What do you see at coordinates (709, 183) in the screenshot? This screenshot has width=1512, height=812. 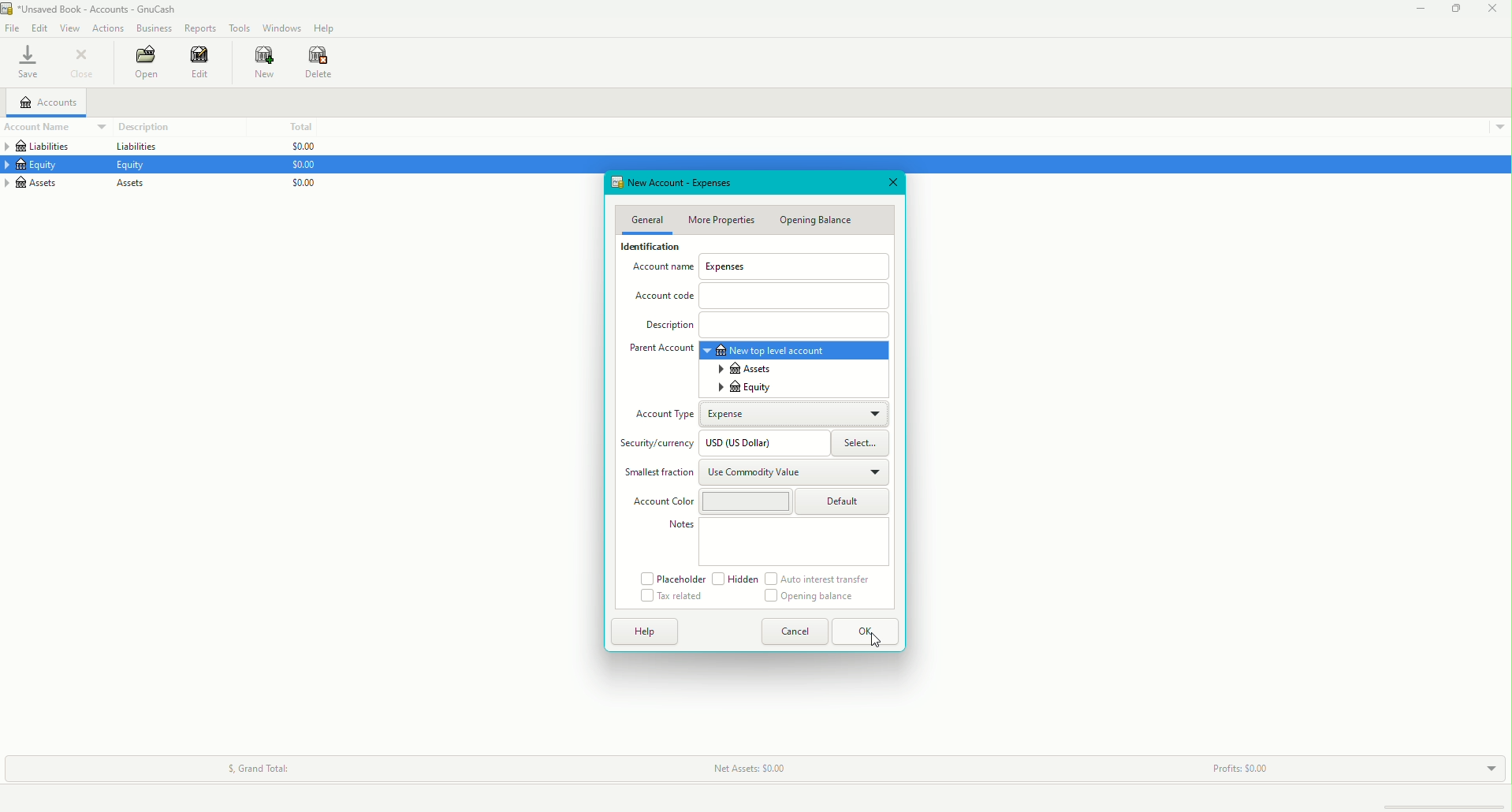 I see `New Account` at bounding box center [709, 183].